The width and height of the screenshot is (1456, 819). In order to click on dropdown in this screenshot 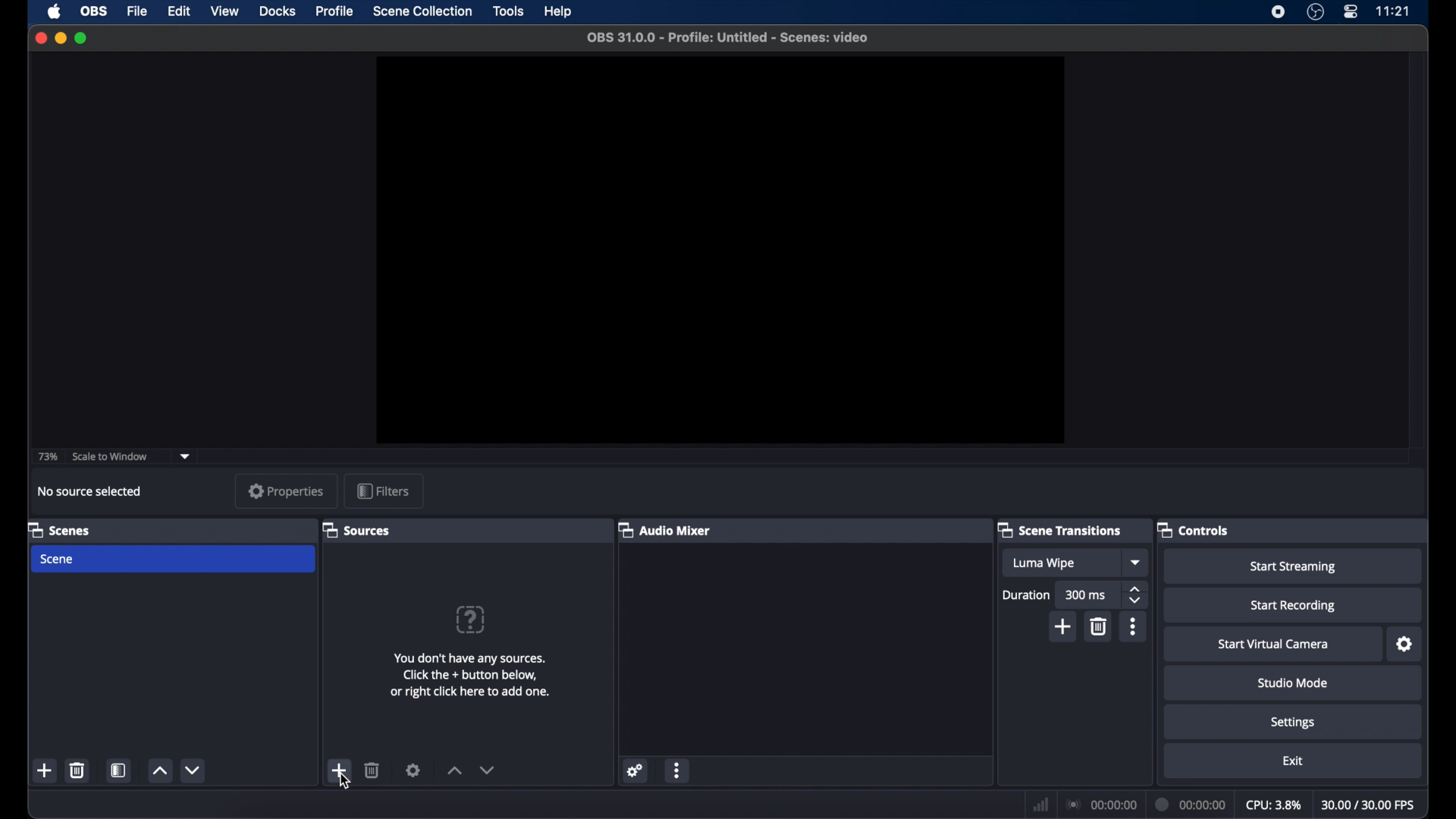, I will do `click(488, 770)`.